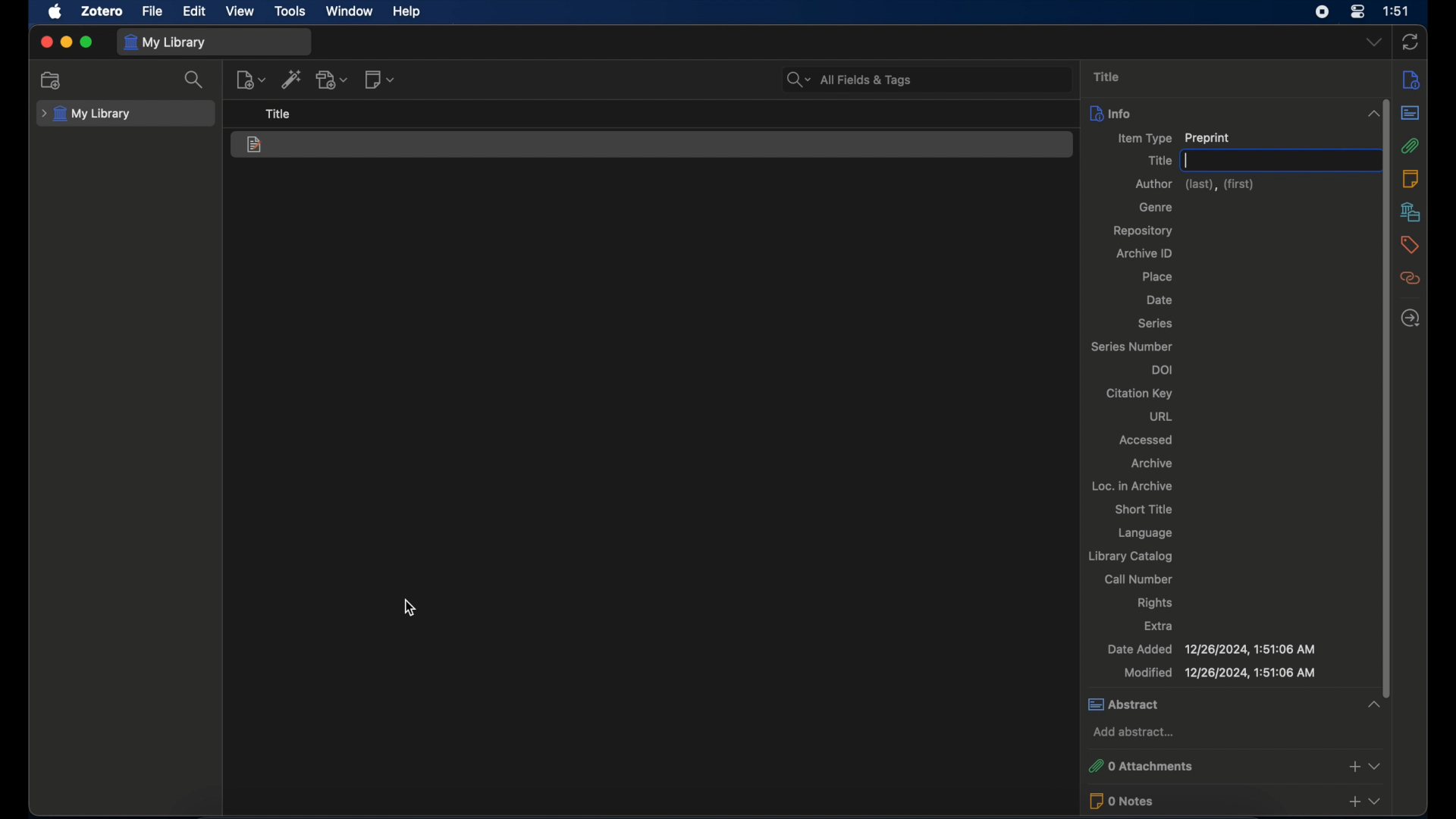 This screenshot has width=1456, height=819. I want to click on date, so click(1160, 300).